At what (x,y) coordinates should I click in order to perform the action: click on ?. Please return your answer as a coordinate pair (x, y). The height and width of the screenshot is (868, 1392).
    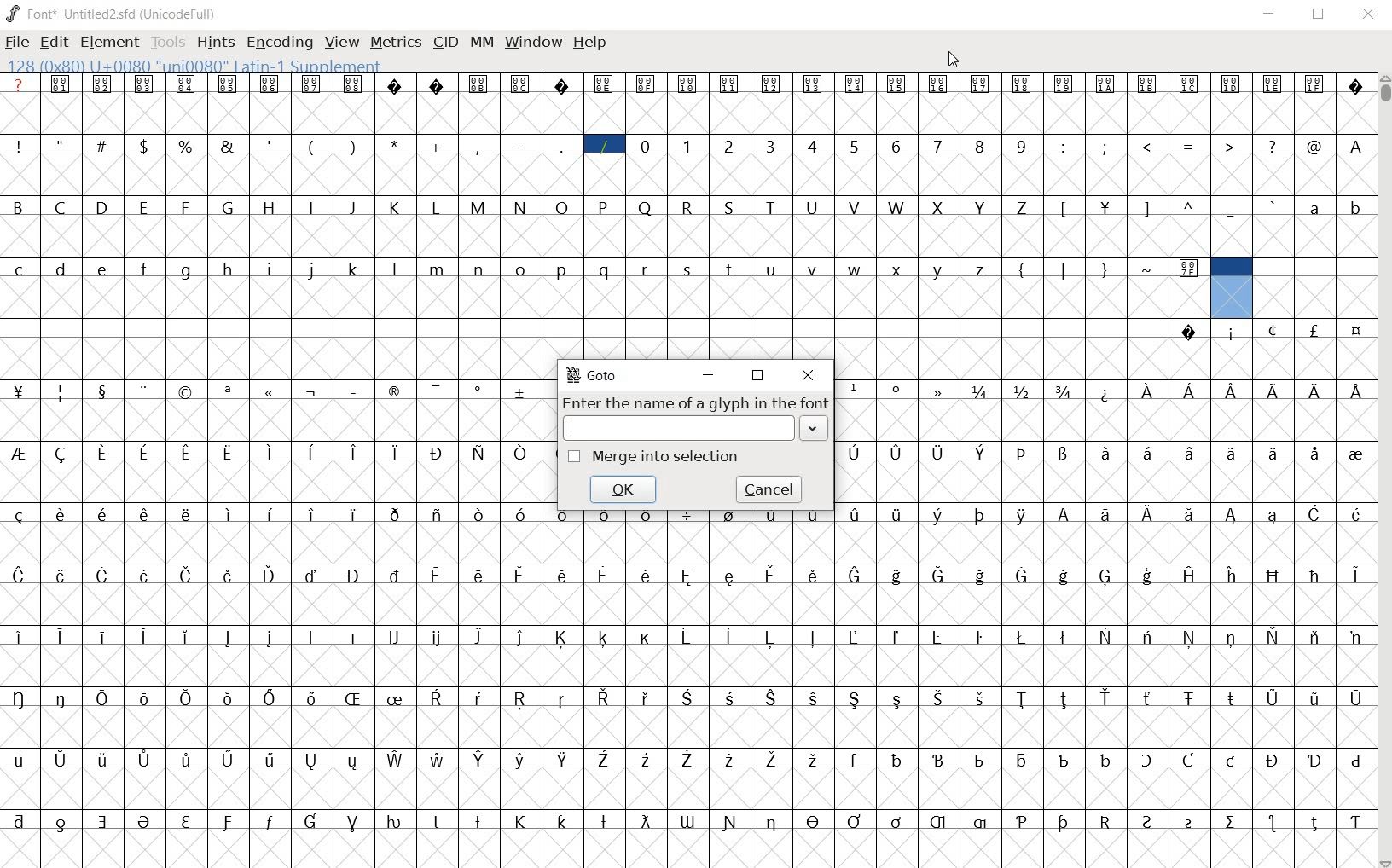
    Looking at the image, I should click on (1271, 144).